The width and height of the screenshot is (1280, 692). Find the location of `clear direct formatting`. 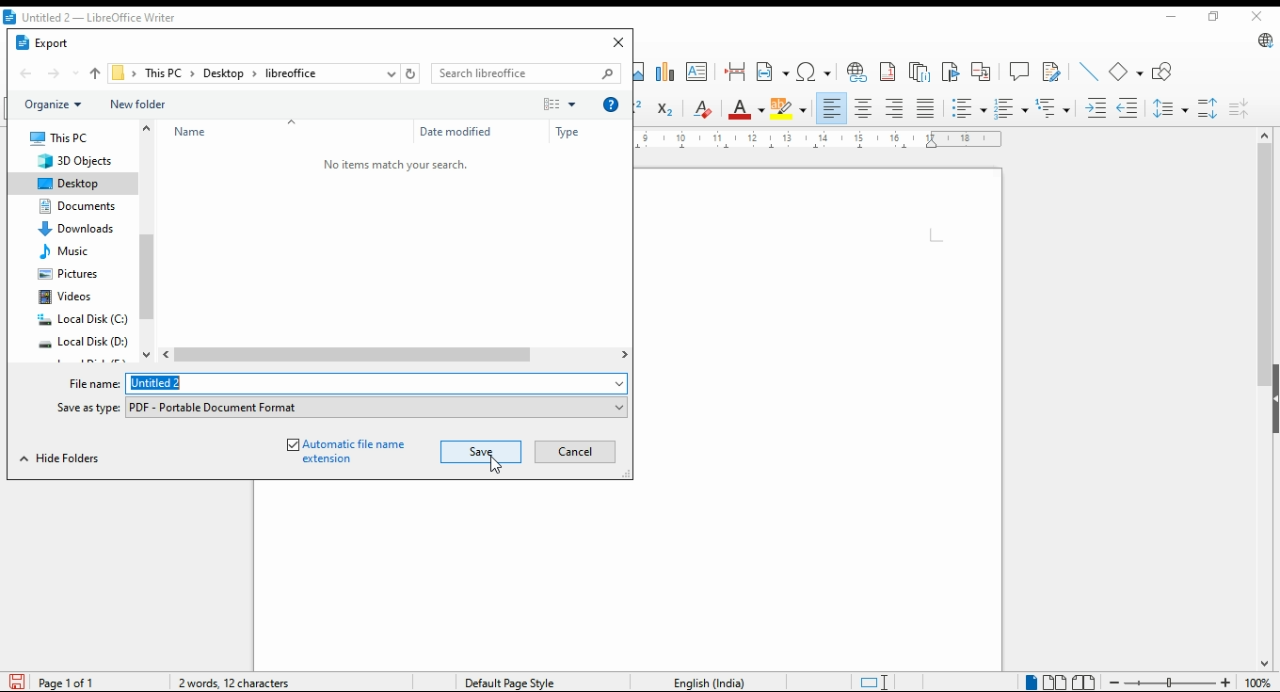

clear direct formatting is located at coordinates (702, 111).